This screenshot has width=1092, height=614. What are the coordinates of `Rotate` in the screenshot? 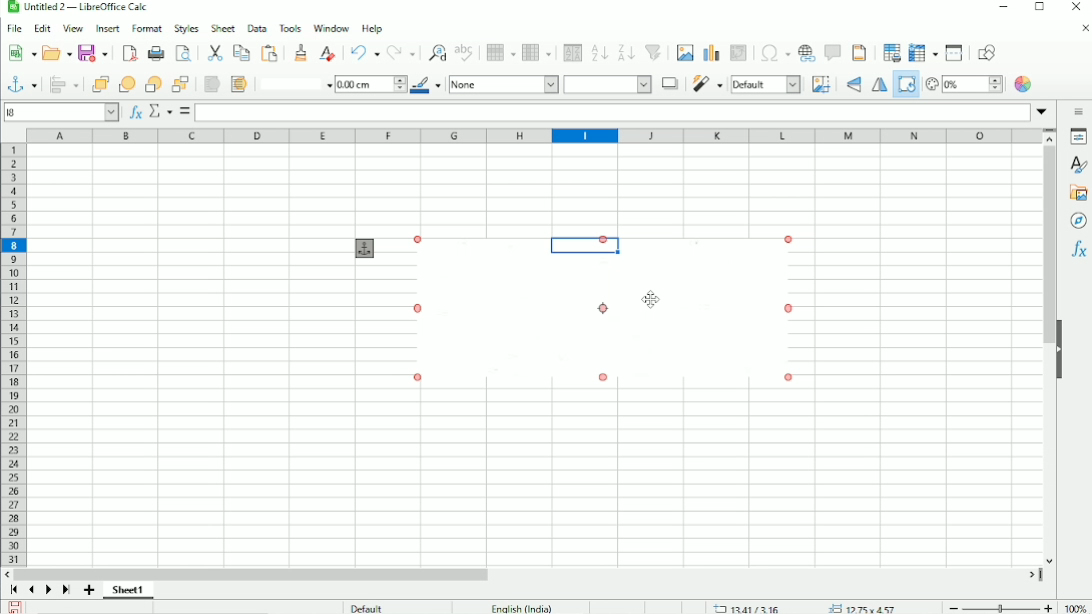 It's located at (905, 88).